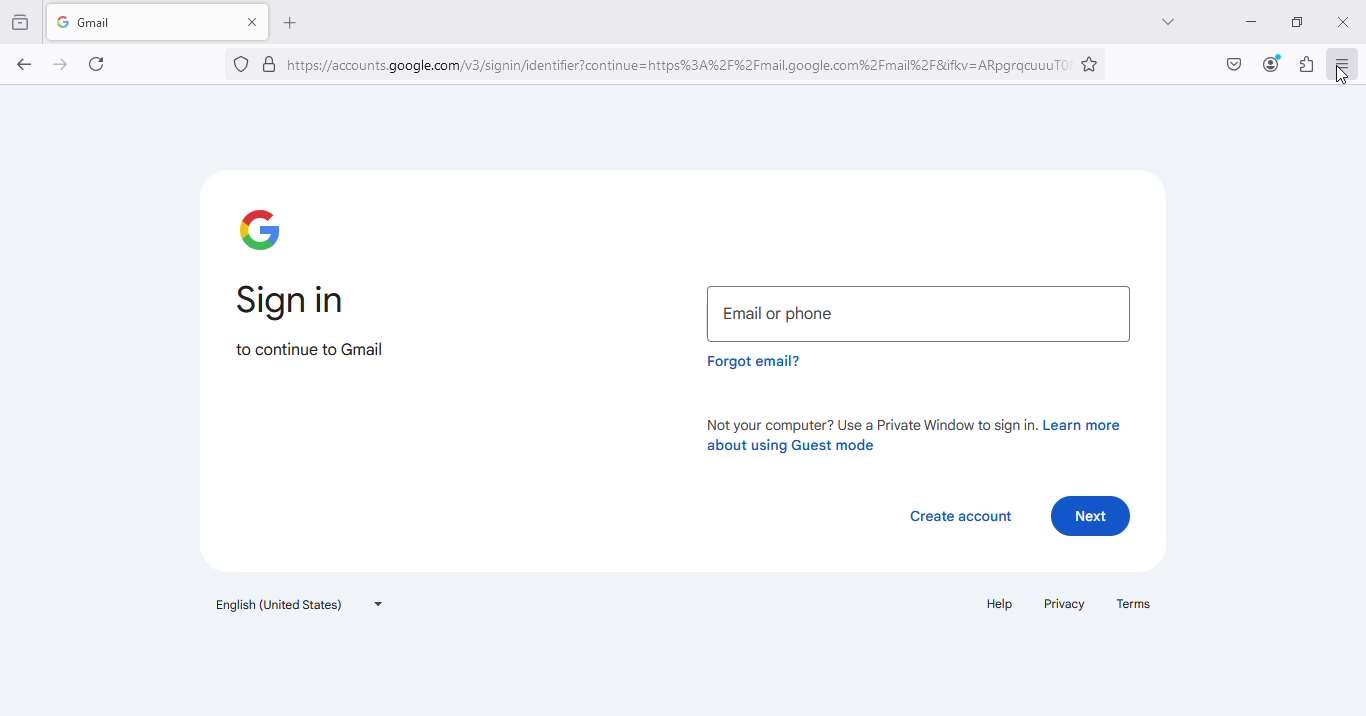 This screenshot has width=1366, height=716. I want to click on account, so click(1271, 65).